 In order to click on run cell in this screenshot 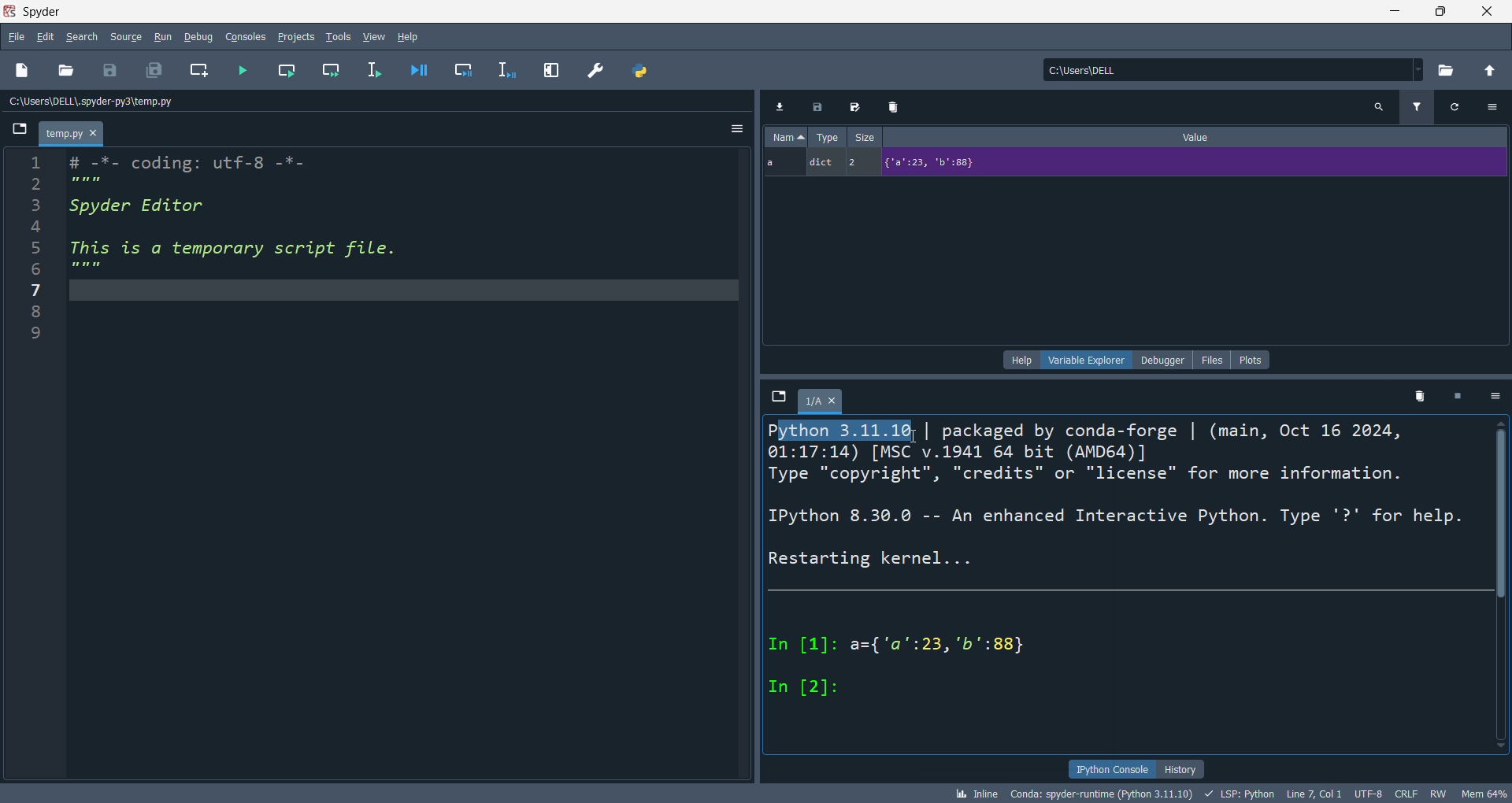, I will do `click(291, 68)`.